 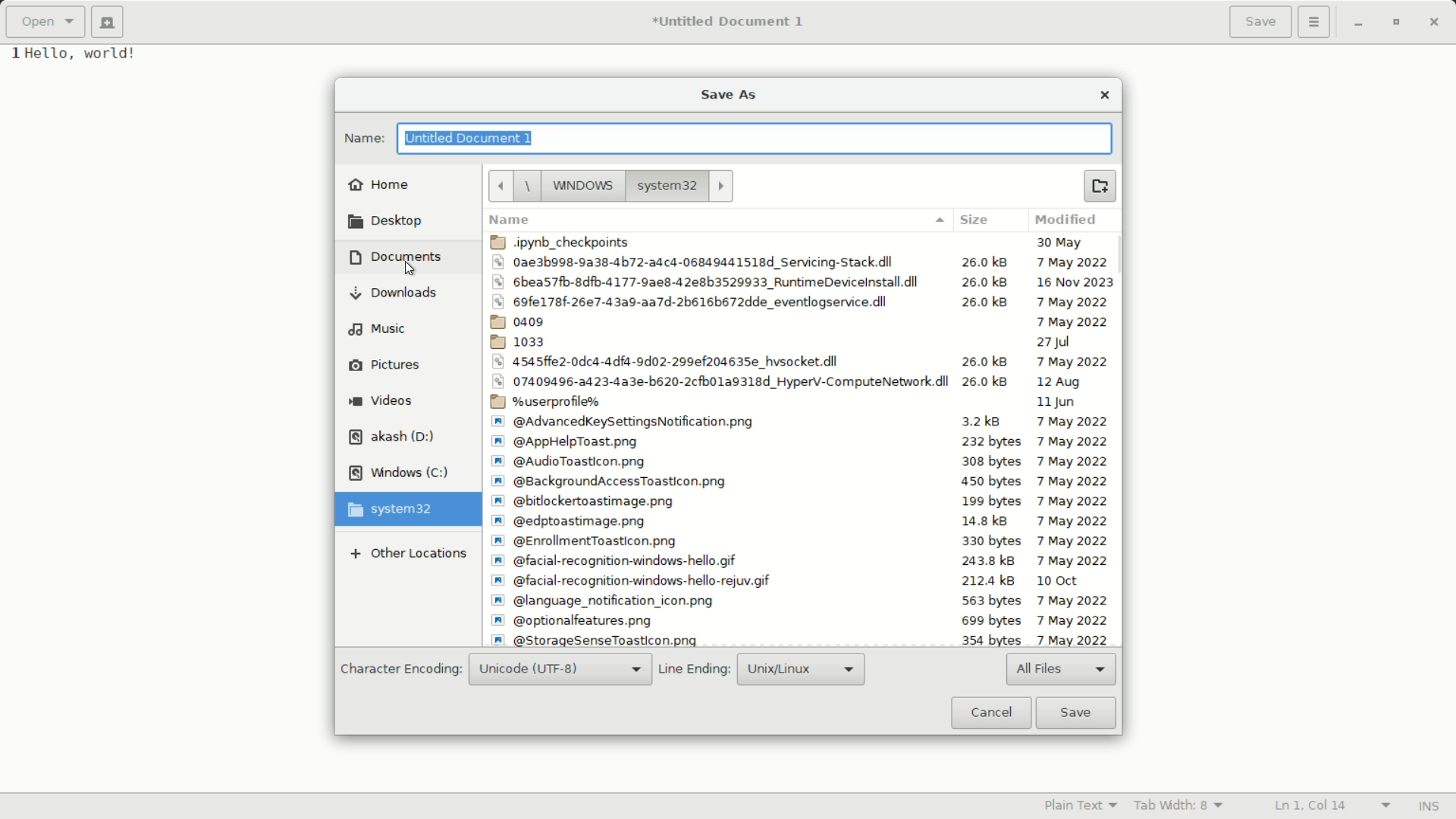 What do you see at coordinates (804, 262) in the screenshot?
I see `Oae3b998-9a38-4b72-a4c4-06849441518d_Servicing.Stack.dl` at bounding box center [804, 262].